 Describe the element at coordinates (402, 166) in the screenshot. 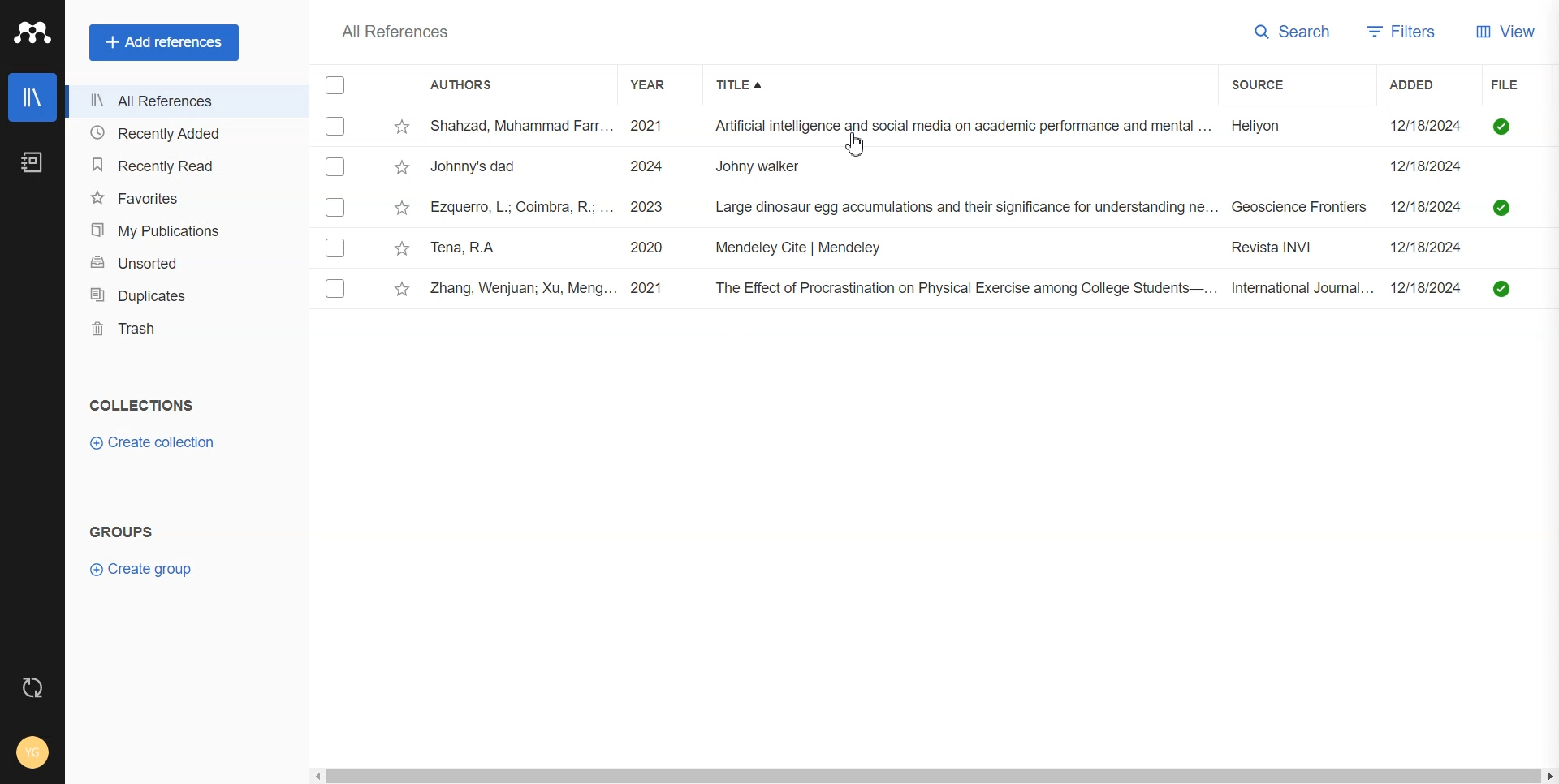

I see `star` at that location.